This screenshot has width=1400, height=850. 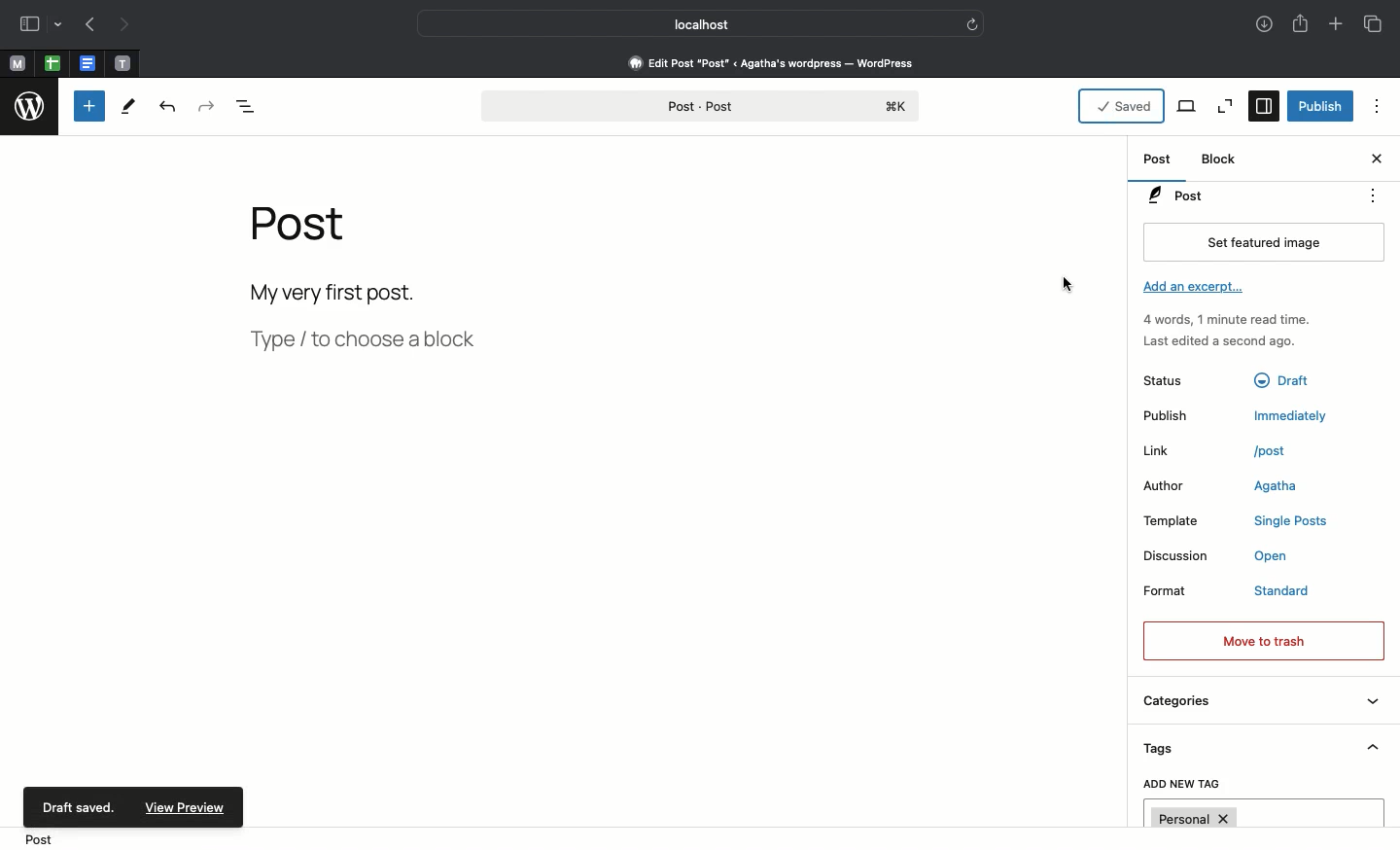 I want to click on Document overview, so click(x=248, y=111).